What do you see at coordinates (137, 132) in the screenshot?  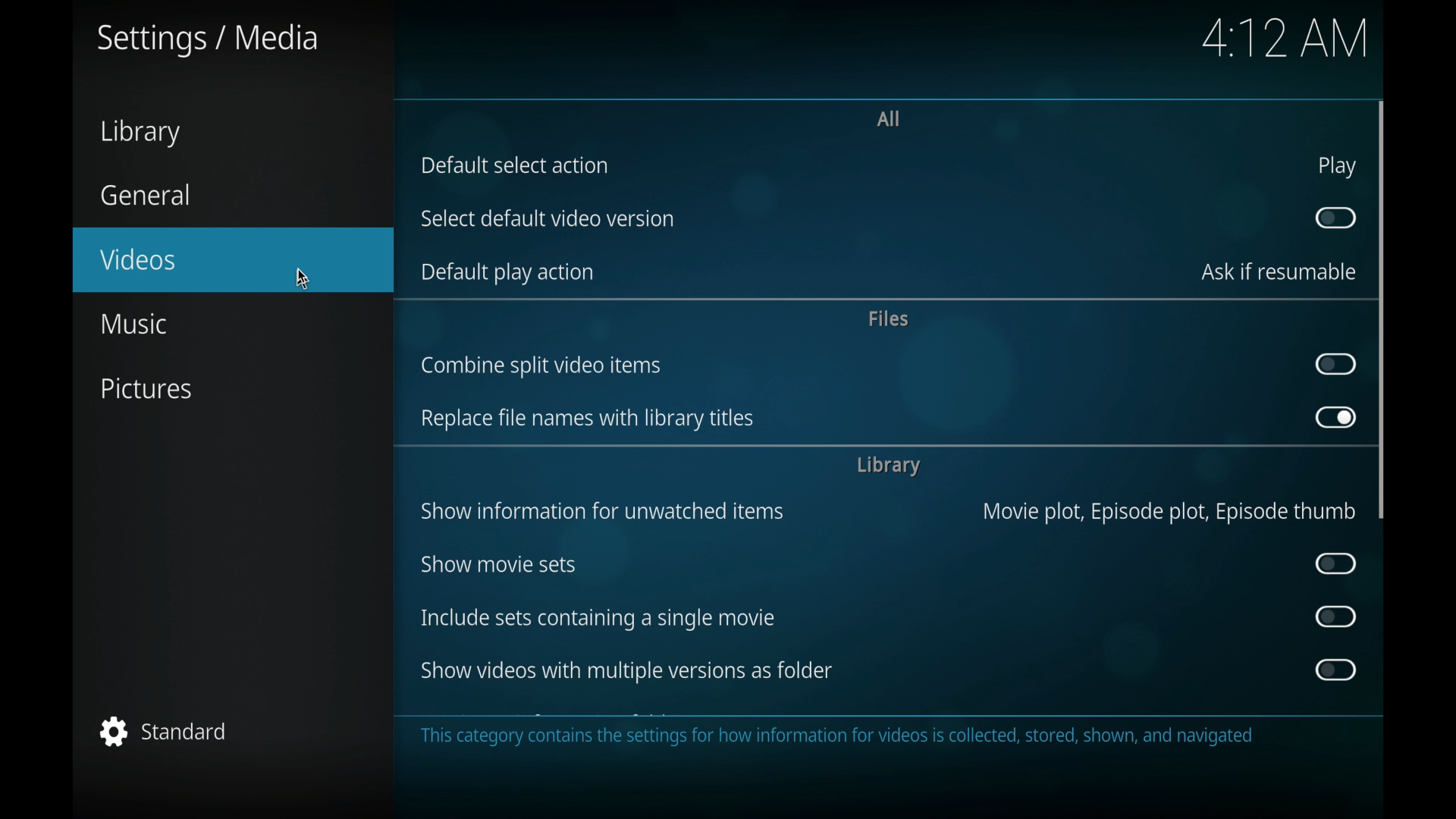 I see `library` at bounding box center [137, 132].